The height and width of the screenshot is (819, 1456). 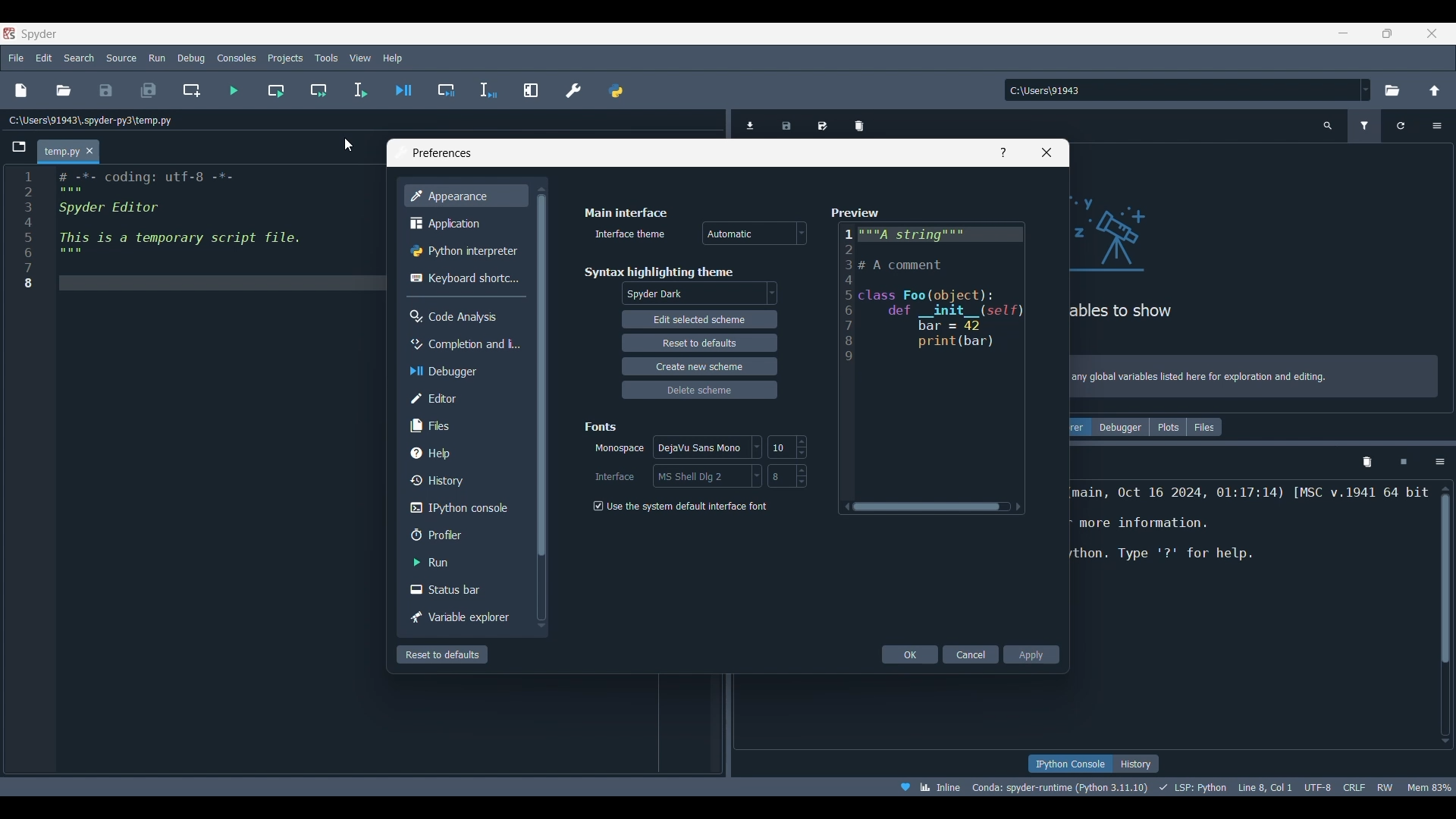 I want to click on Save file, so click(x=106, y=90).